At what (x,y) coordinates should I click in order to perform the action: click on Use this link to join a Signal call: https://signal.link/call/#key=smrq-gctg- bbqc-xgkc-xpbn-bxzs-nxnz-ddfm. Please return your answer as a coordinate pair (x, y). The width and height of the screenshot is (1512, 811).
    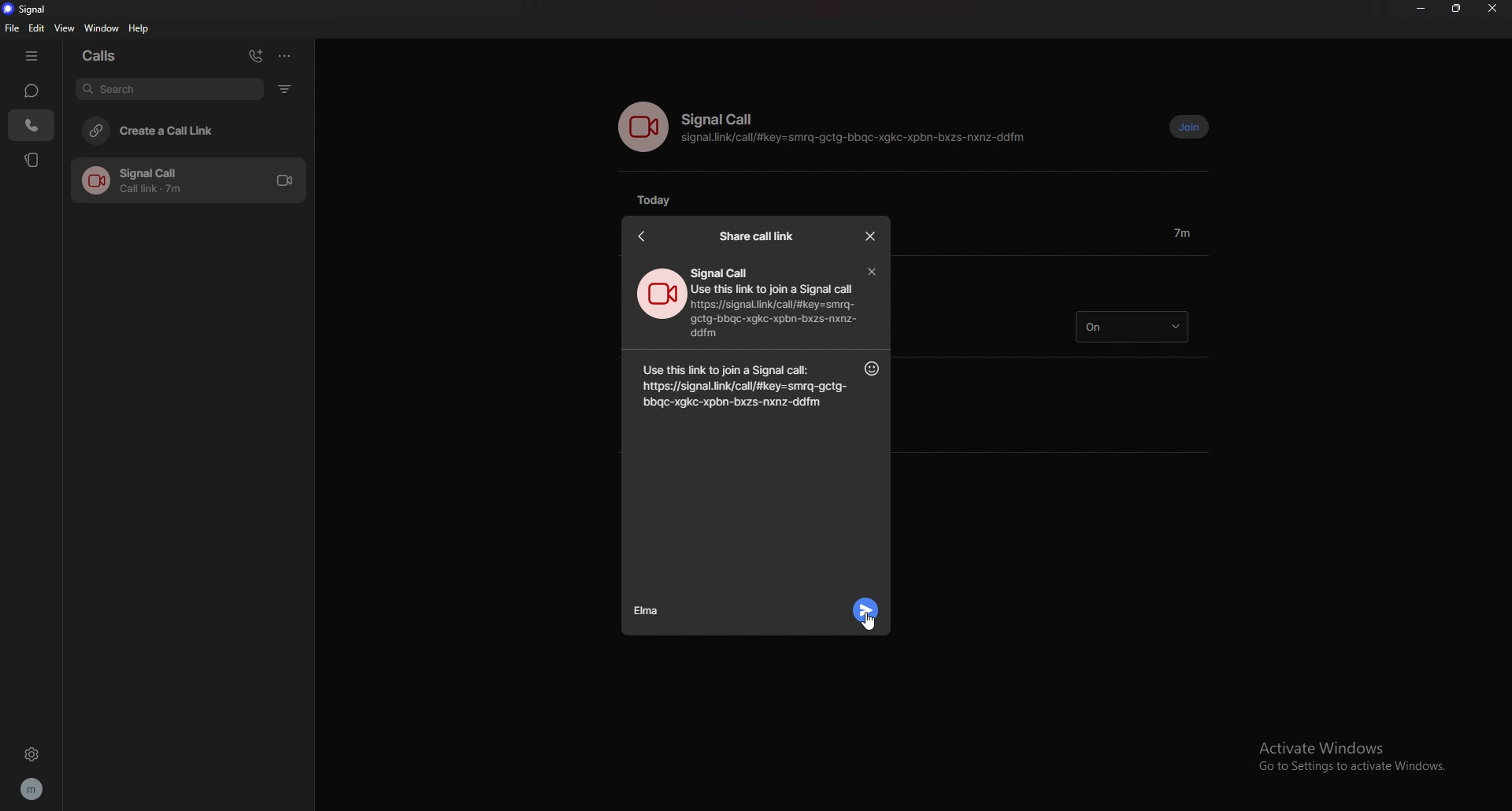
    Looking at the image, I should click on (739, 383).